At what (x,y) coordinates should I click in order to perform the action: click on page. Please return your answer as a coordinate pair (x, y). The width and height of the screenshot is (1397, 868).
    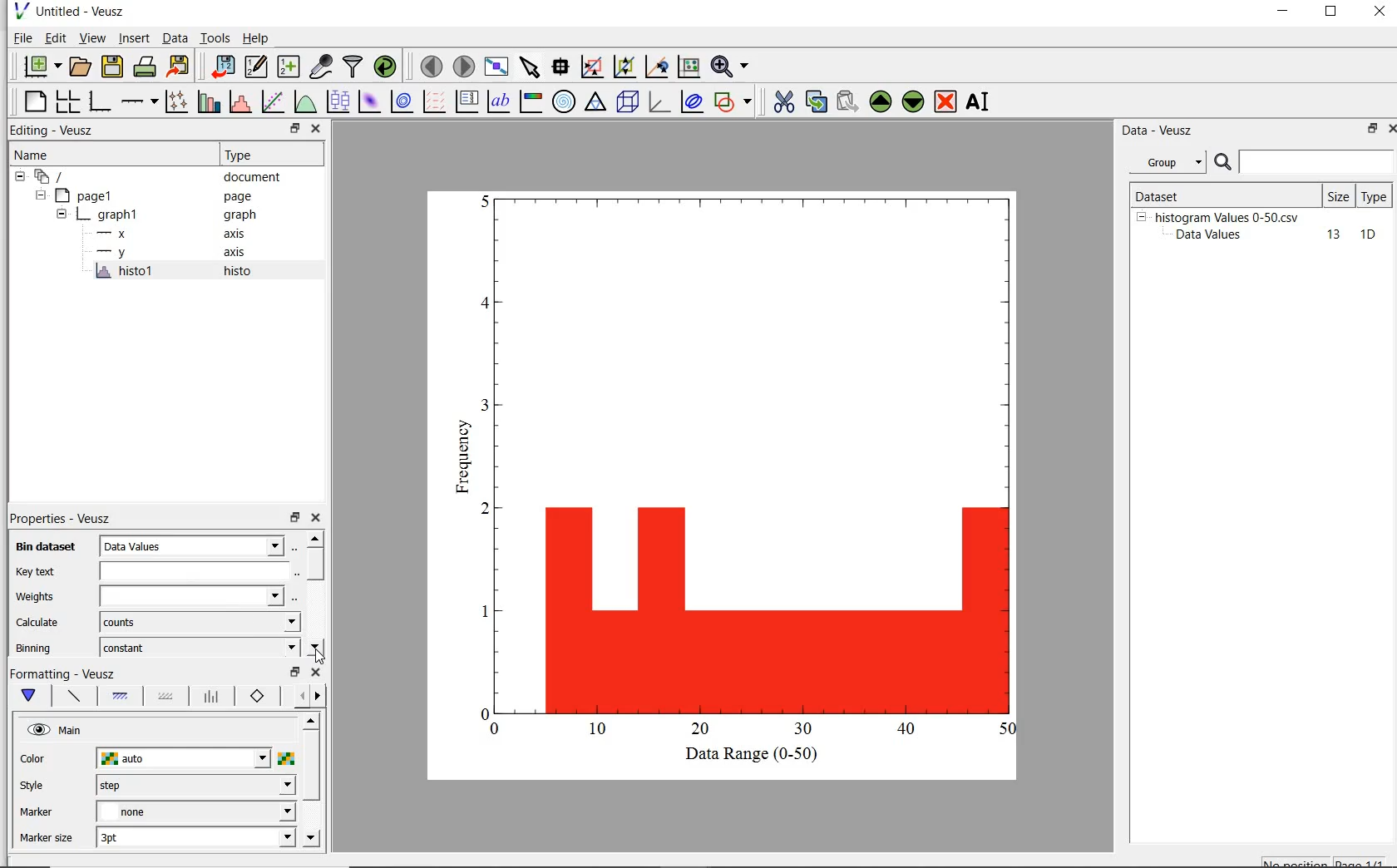
    Looking at the image, I should click on (246, 197).